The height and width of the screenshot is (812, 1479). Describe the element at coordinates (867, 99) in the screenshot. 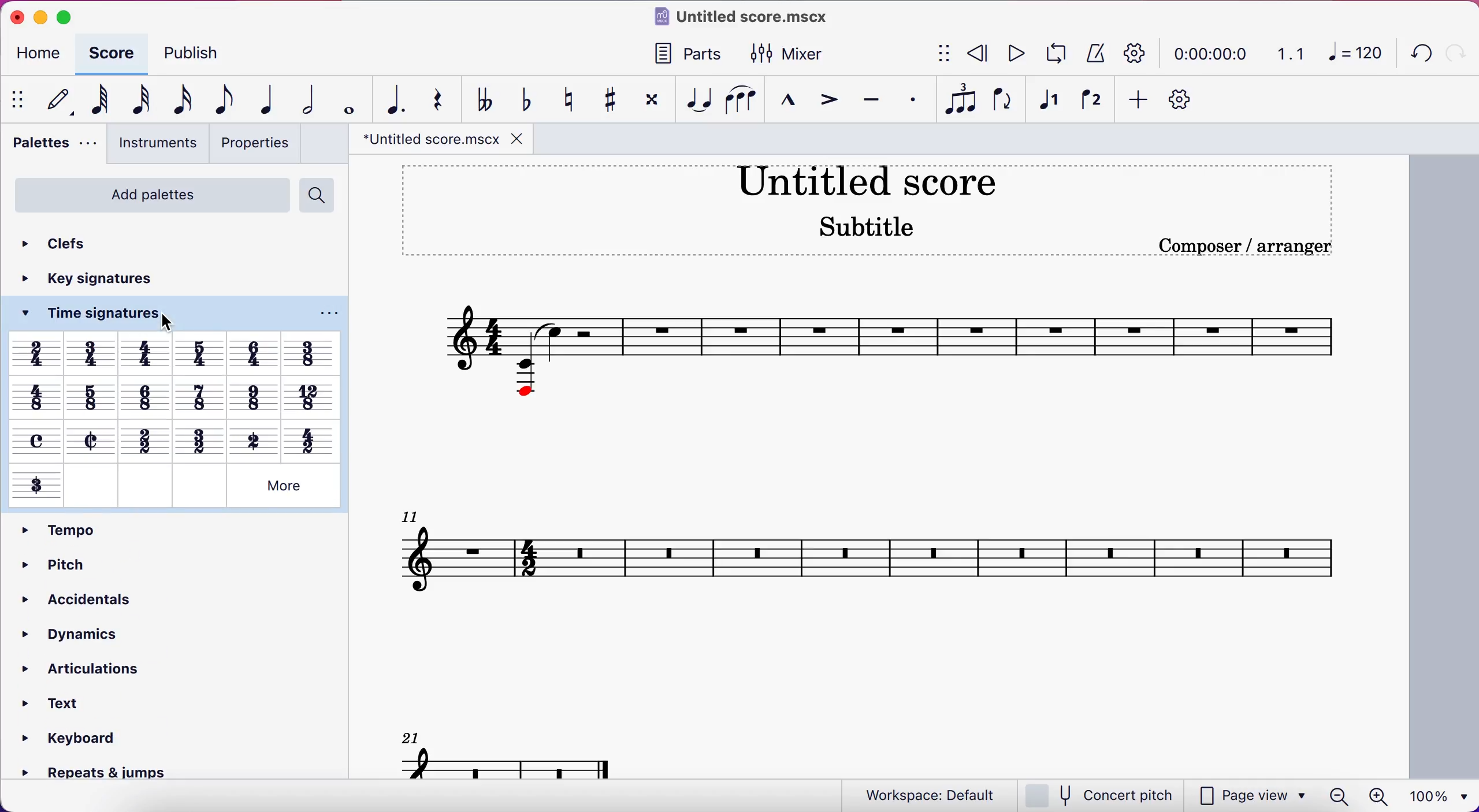

I see `tenuto` at that location.